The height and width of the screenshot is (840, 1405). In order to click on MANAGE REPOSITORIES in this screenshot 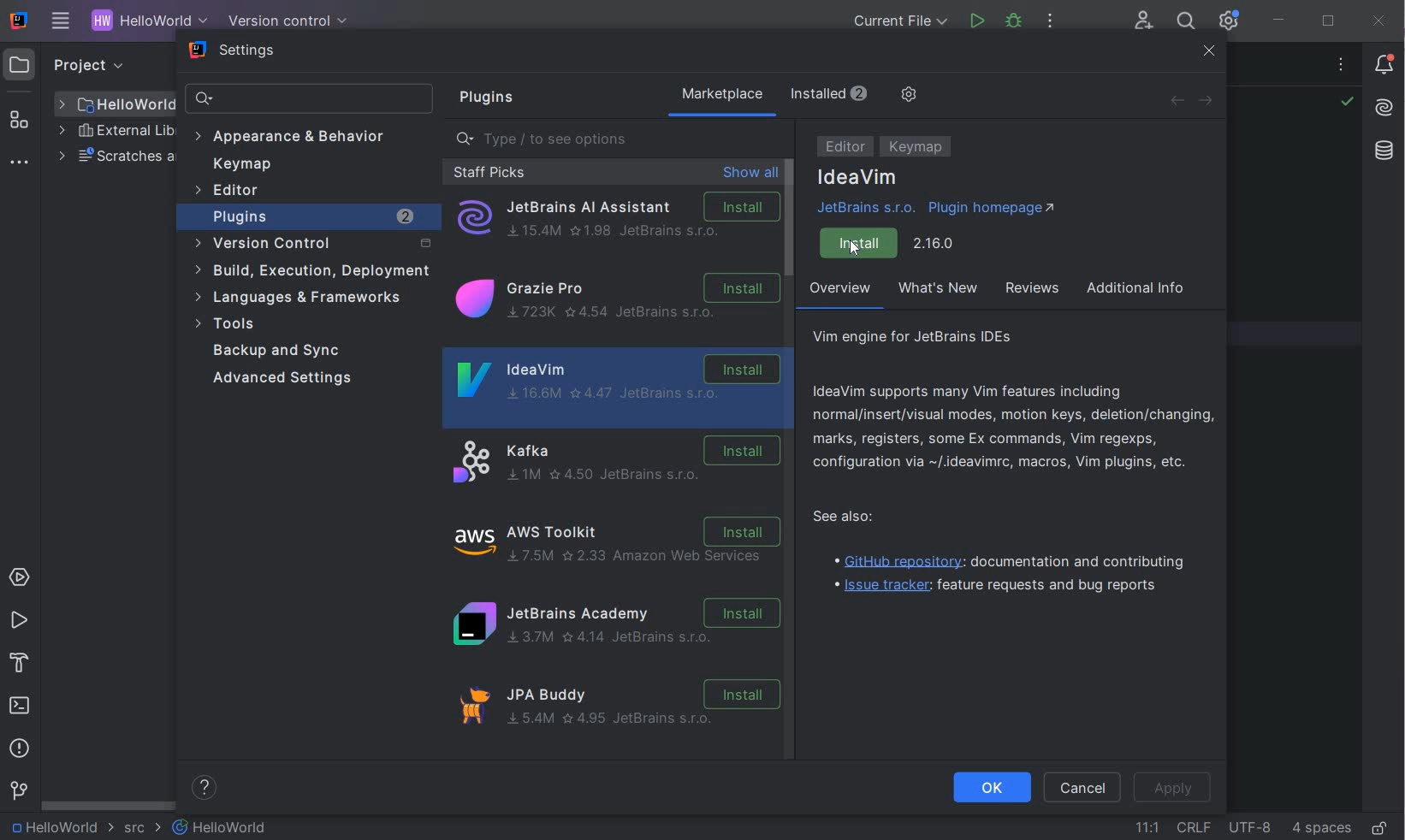, I will do `click(907, 96)`.